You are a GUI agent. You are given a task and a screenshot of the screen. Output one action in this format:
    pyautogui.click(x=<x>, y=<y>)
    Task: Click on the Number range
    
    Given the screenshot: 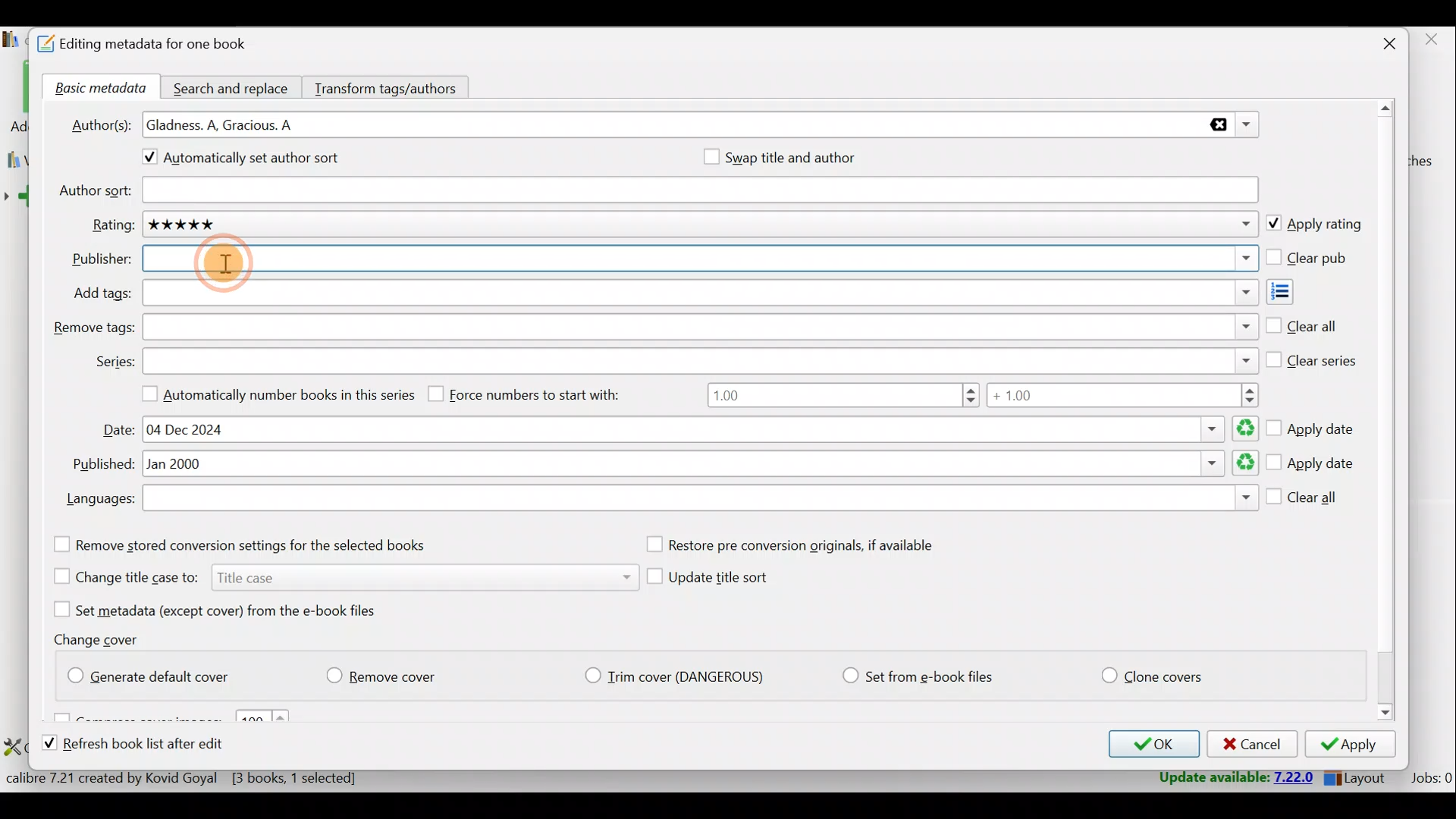 What is the action you would take?
    pyautogui.click(x=982, y=397)
    